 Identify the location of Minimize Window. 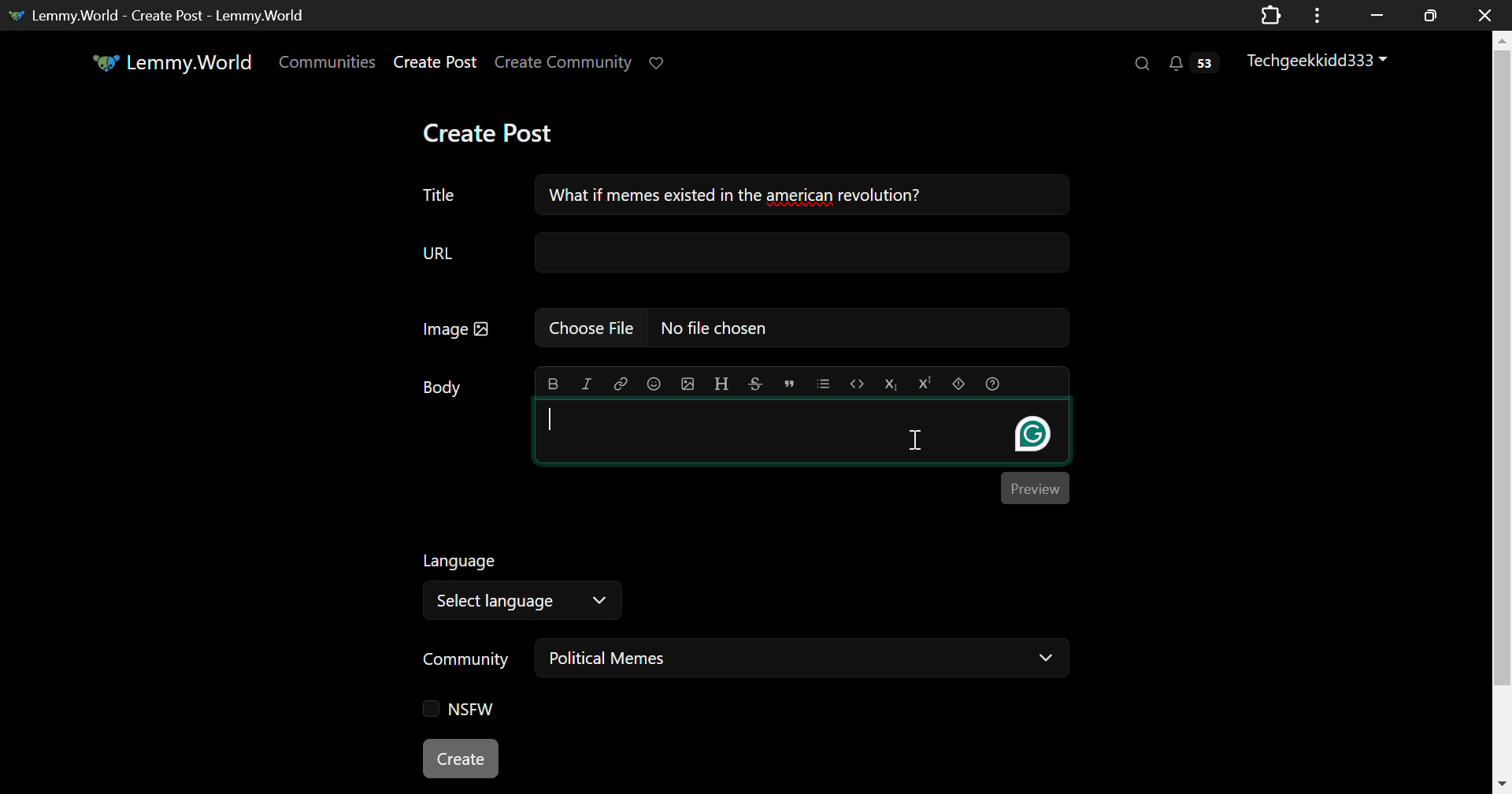
(1428, 16).